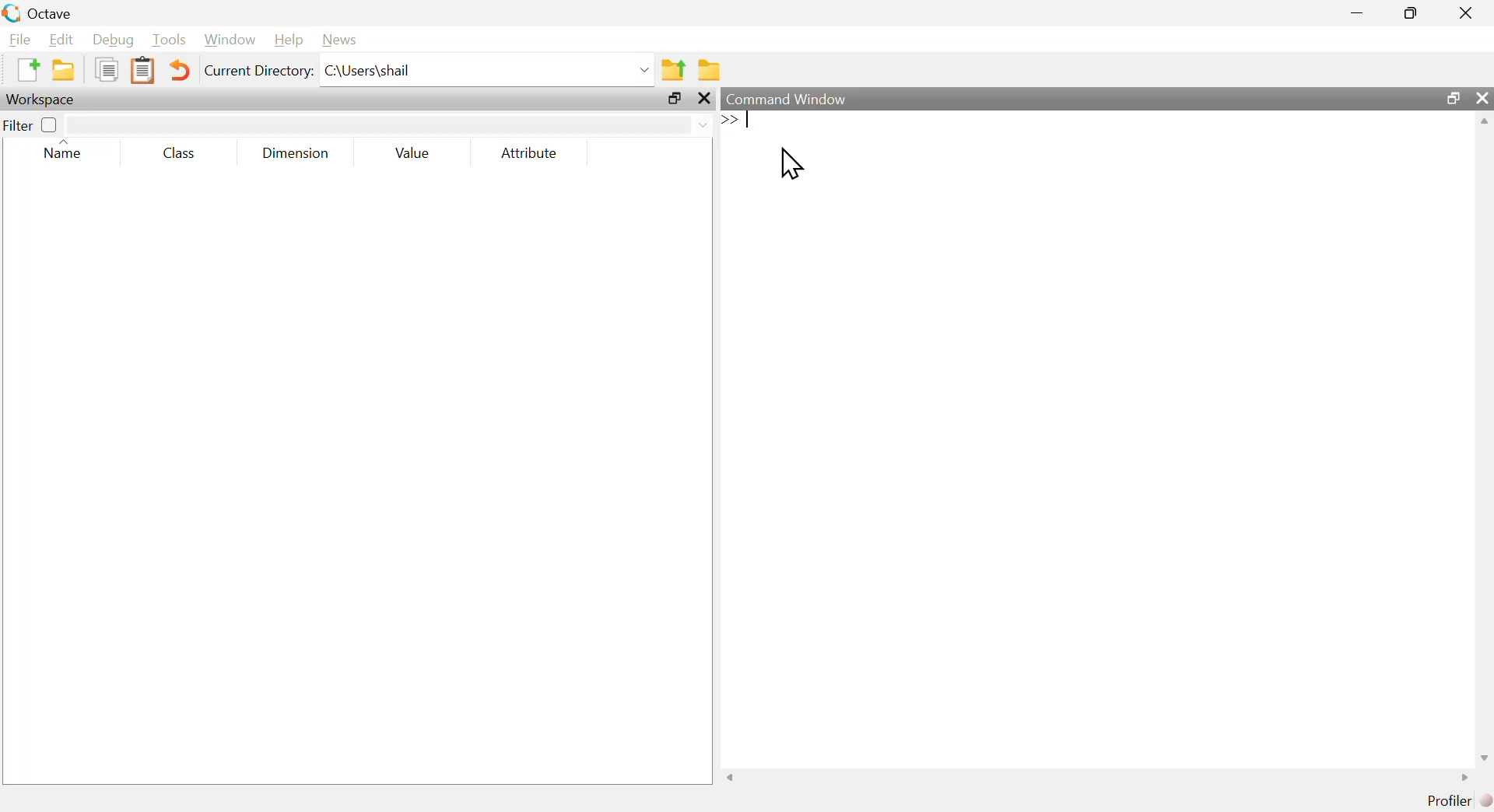 This screenshot has height=812, width=1494. Describe the element at coordinates (1485, 121) in the screenshot. I see `scroll up` at that location.